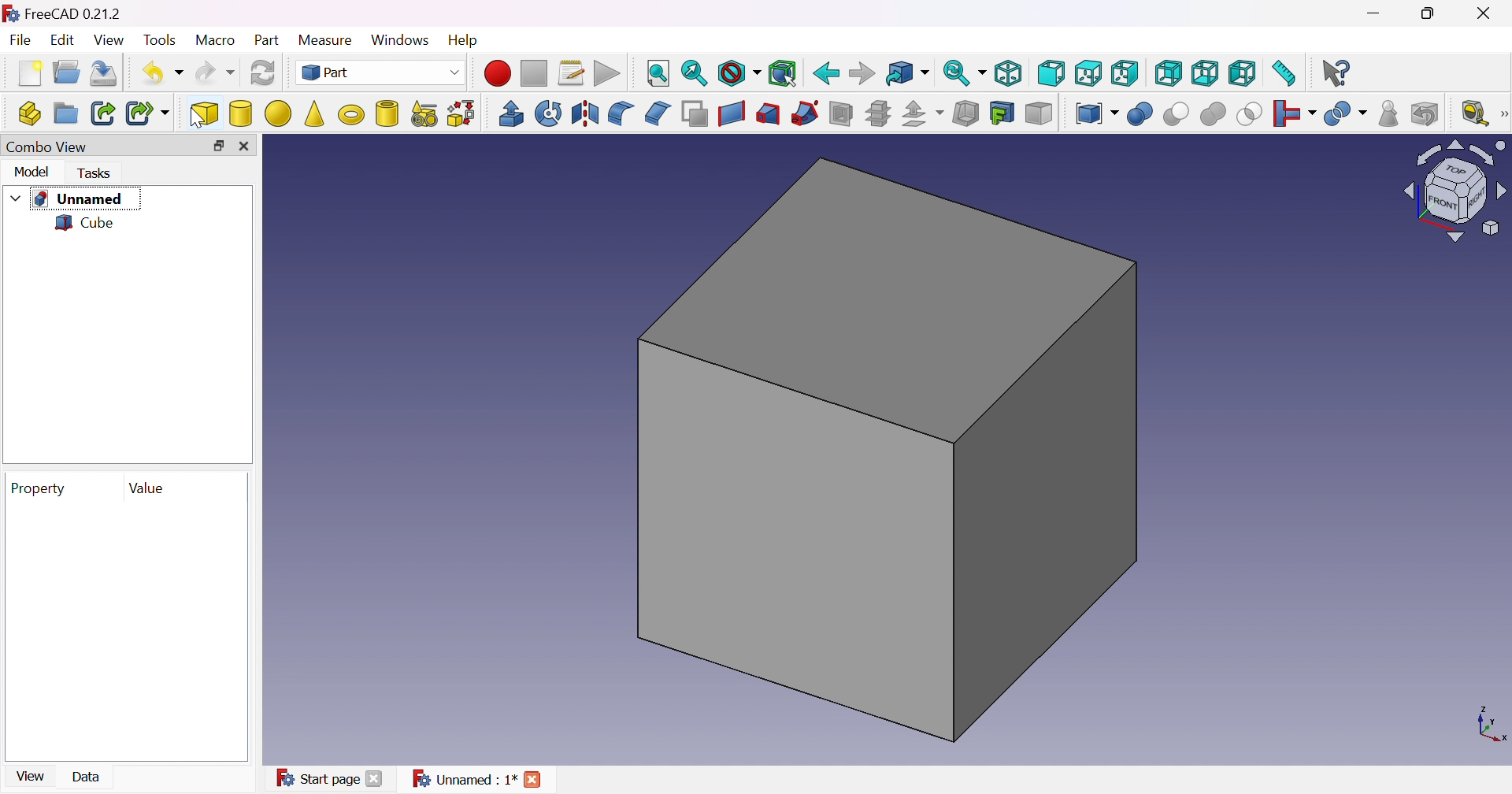 This screenshot has width=1512, height=794. What do you see at coordinates (352, 114) in the screenshot?
I see `Torus` at bounding box center [352, 114].